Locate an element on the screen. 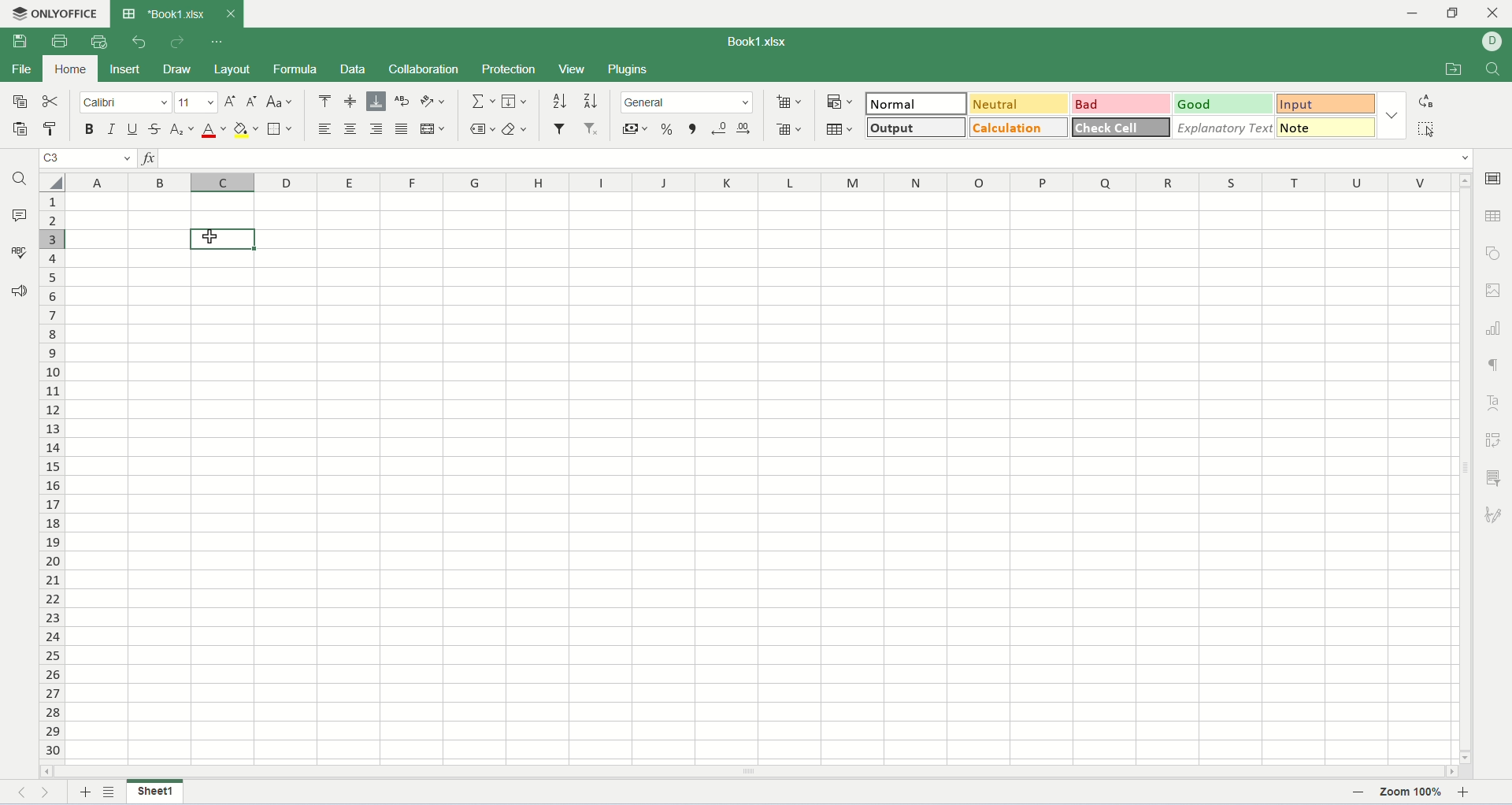  currency style is located at coordinates (639, 128).